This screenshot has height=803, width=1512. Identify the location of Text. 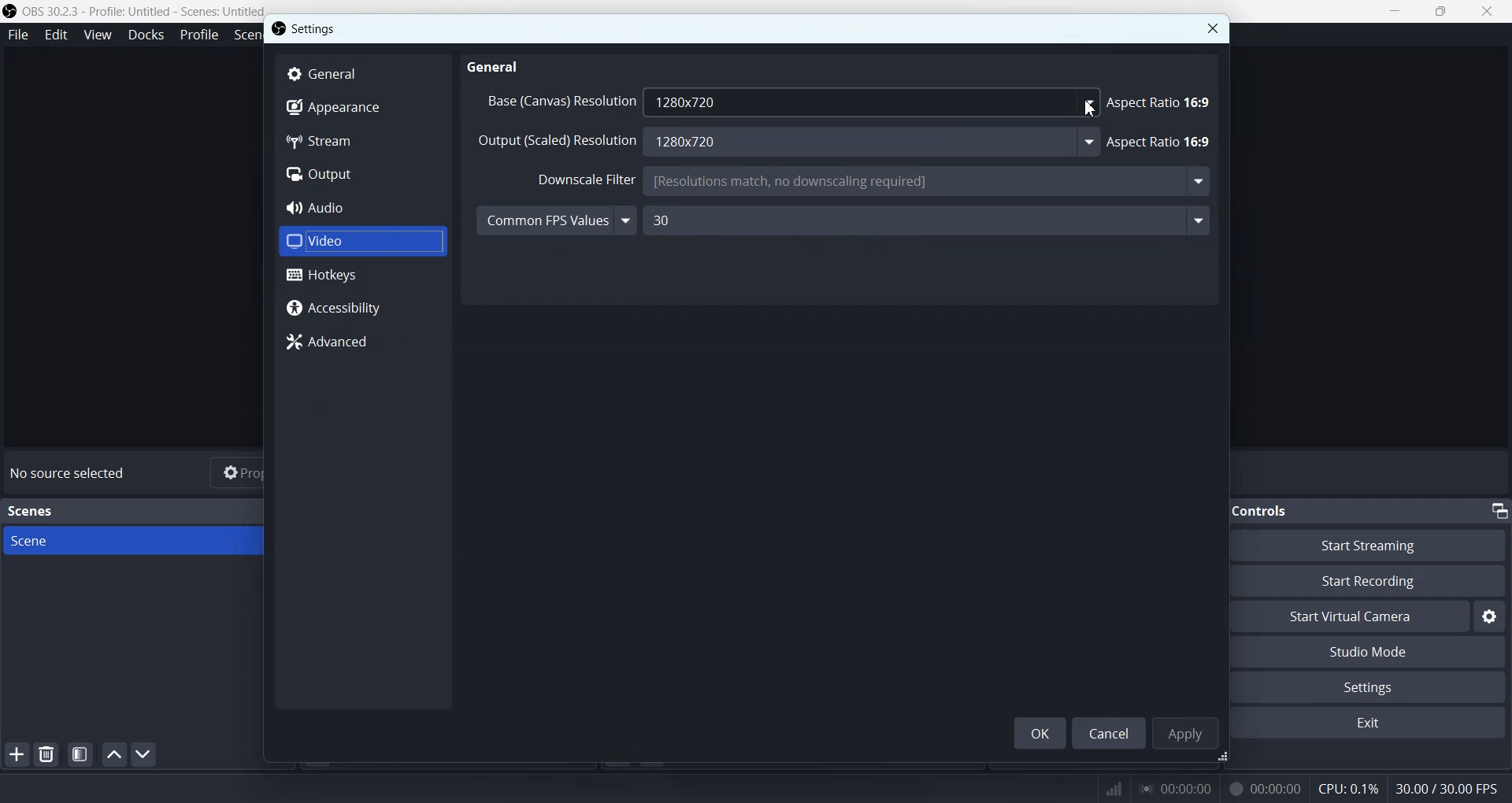
(1272, 510).